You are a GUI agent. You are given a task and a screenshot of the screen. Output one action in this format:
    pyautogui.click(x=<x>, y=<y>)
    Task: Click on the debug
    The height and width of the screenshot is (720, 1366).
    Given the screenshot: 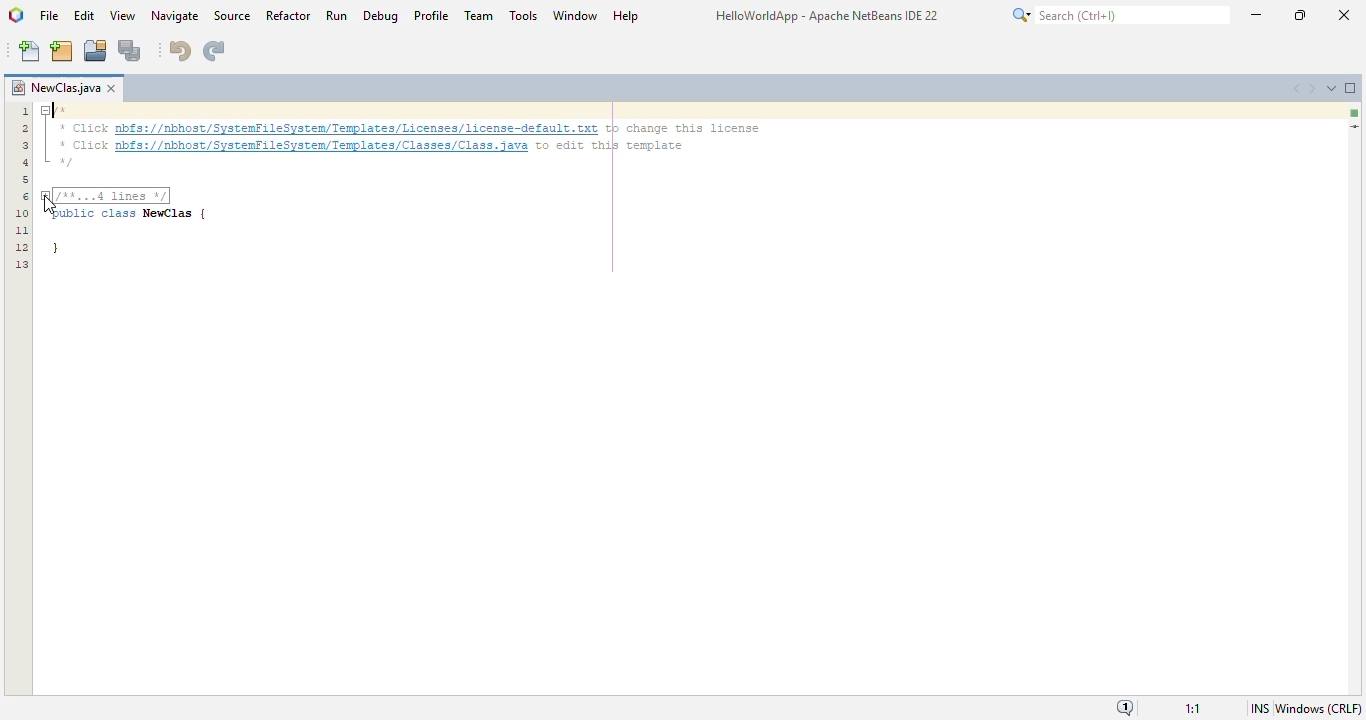 What is the action you would take?
    pyautogui.click(x=382, y=15)
    